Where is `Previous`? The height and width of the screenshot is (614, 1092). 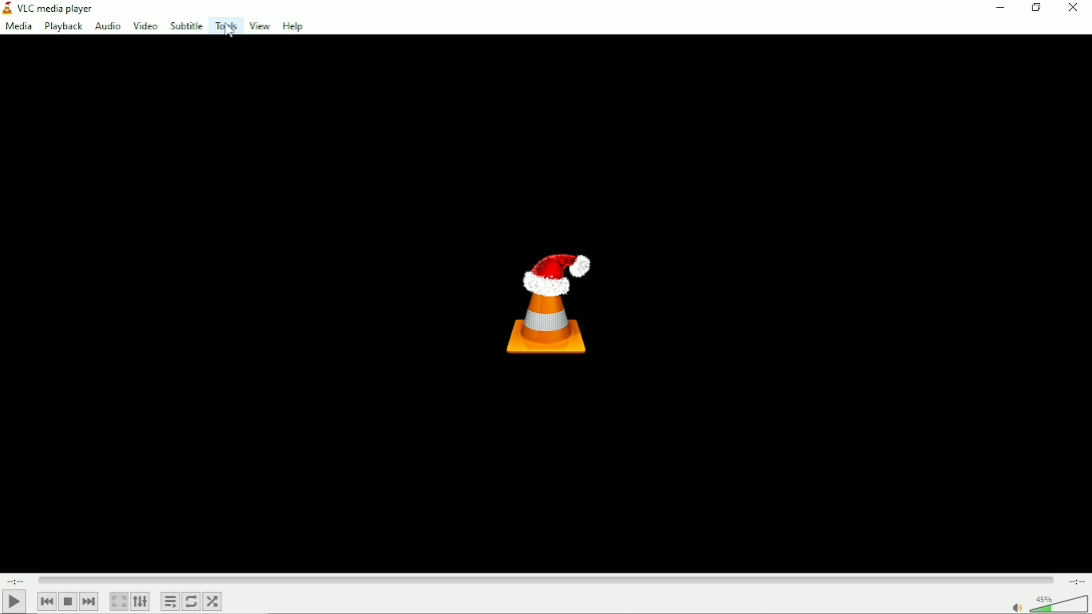
Previous is located at coordinates (48, 600).